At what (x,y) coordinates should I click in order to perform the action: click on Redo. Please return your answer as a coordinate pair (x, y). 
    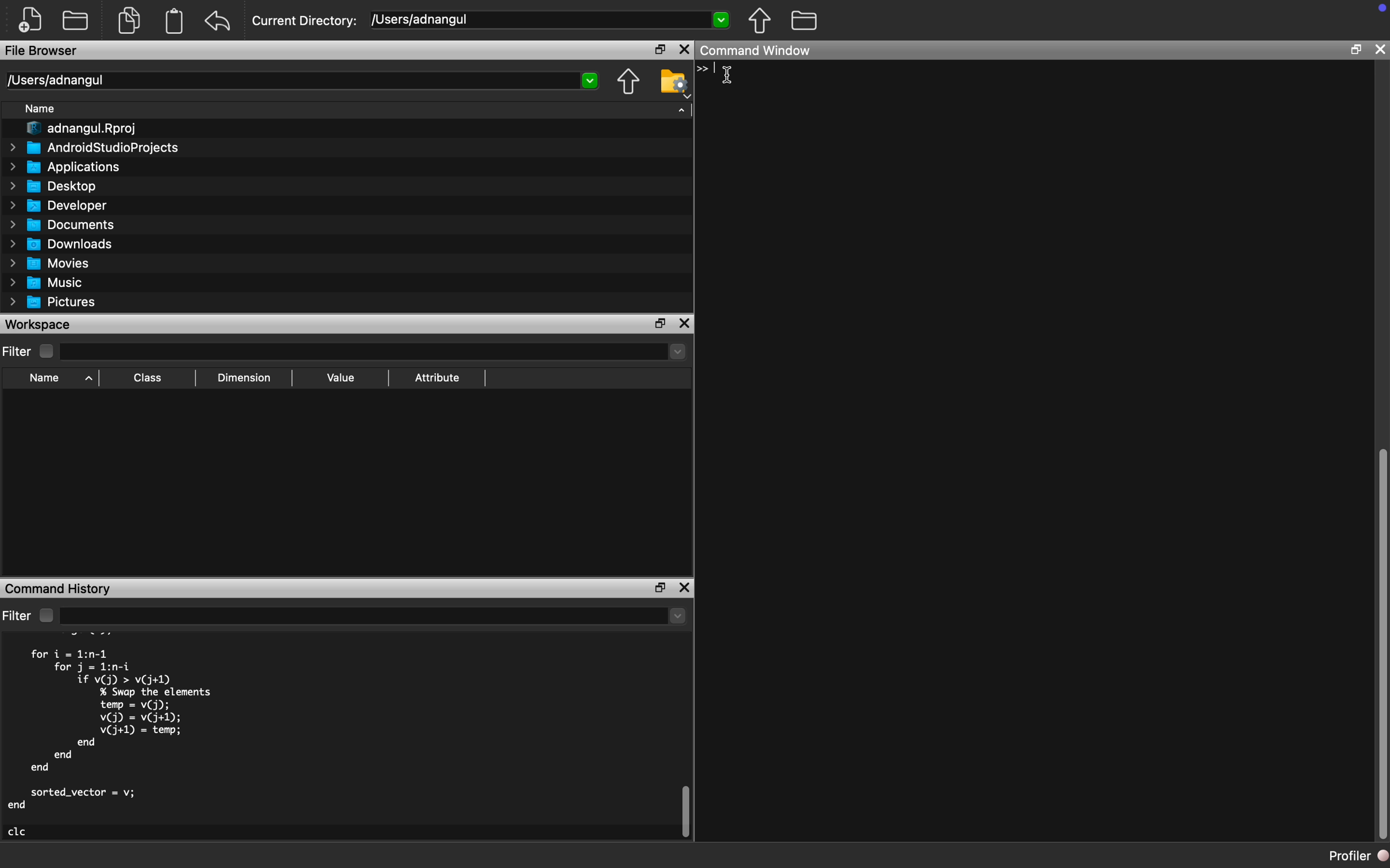
    Looking at the image, I should click on (219, 22).